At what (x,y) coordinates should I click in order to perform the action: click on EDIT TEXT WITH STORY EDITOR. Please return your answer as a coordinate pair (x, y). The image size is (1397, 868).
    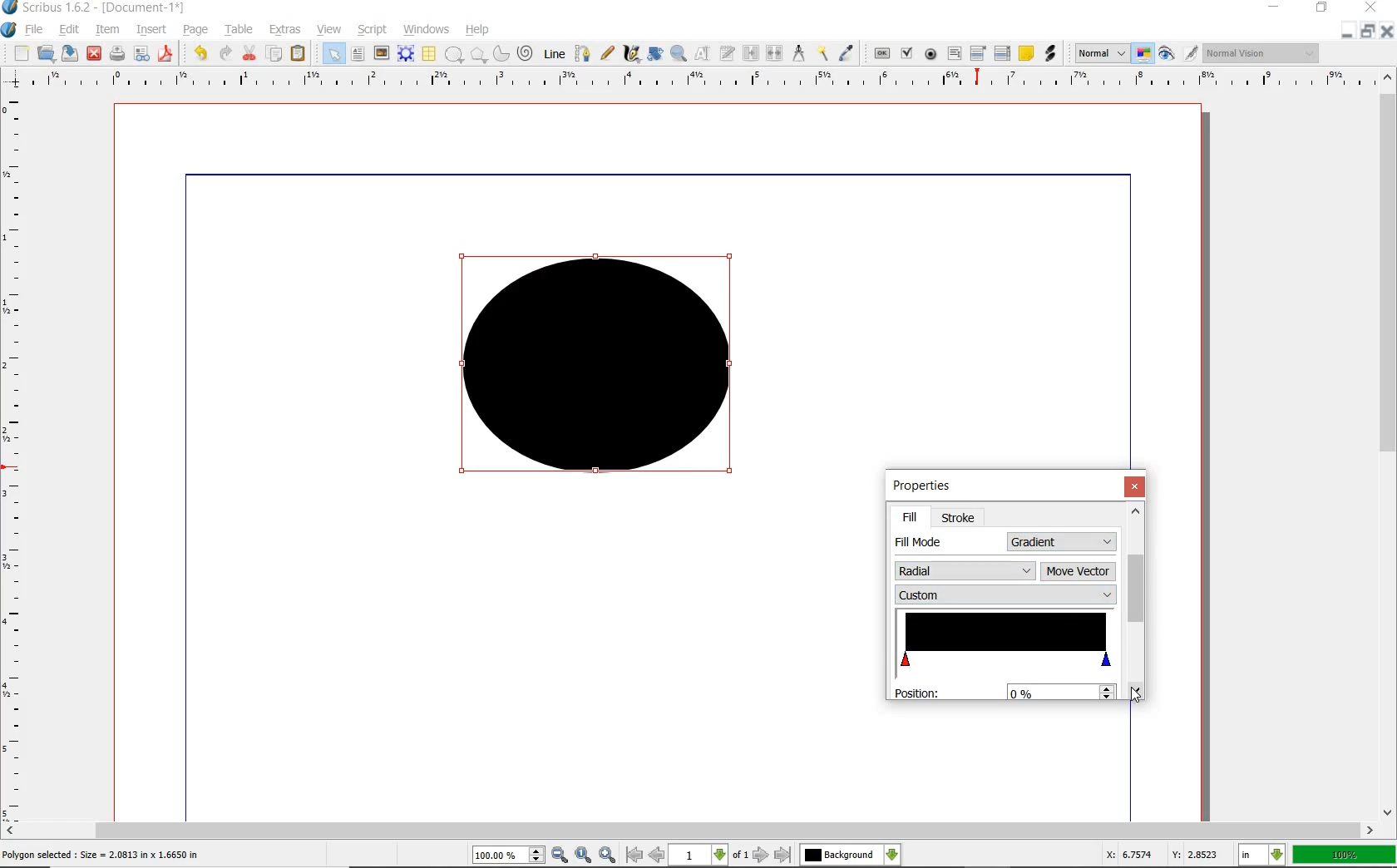
    Looking at the image, I should click on (728, 53).